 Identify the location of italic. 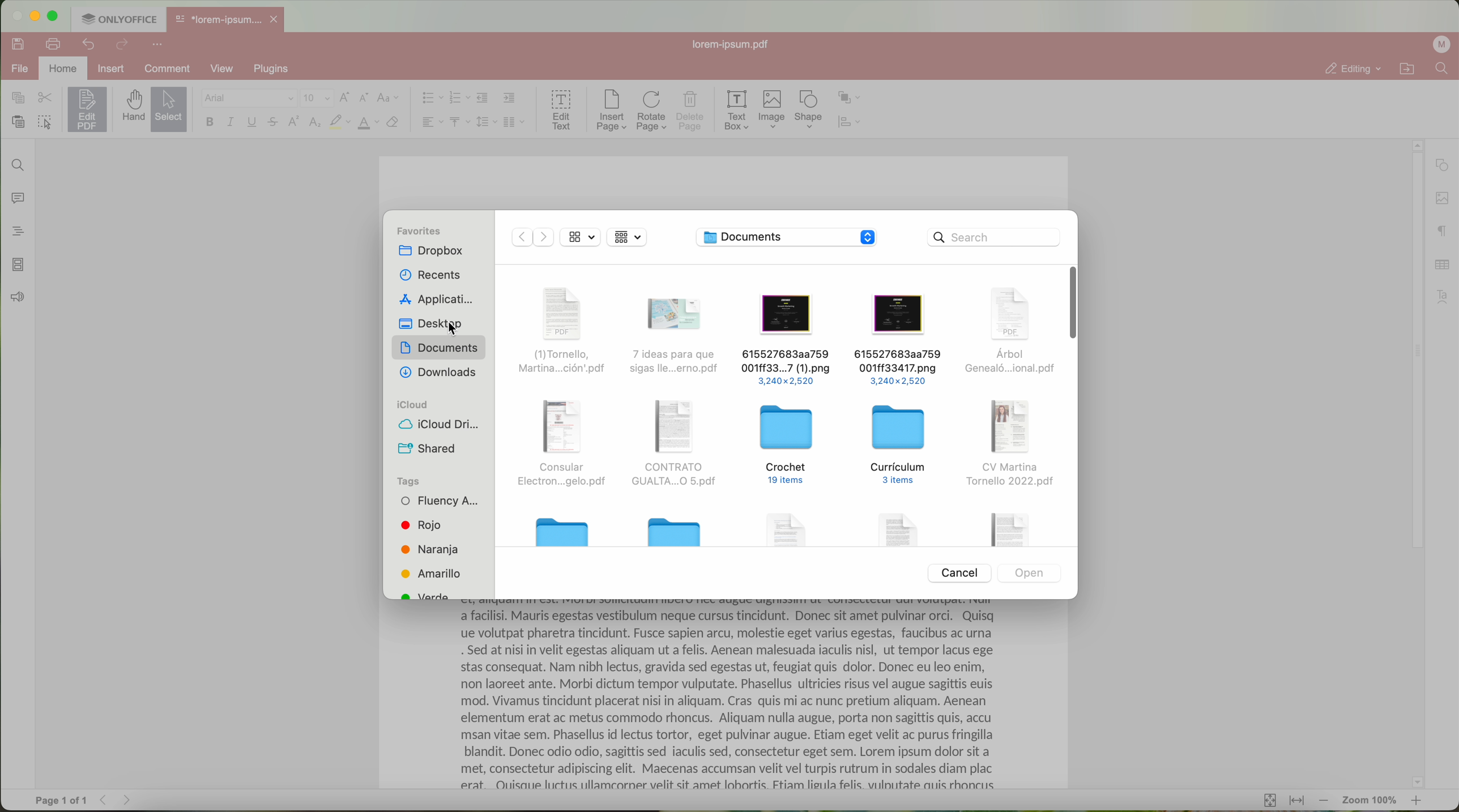
(231, 122).